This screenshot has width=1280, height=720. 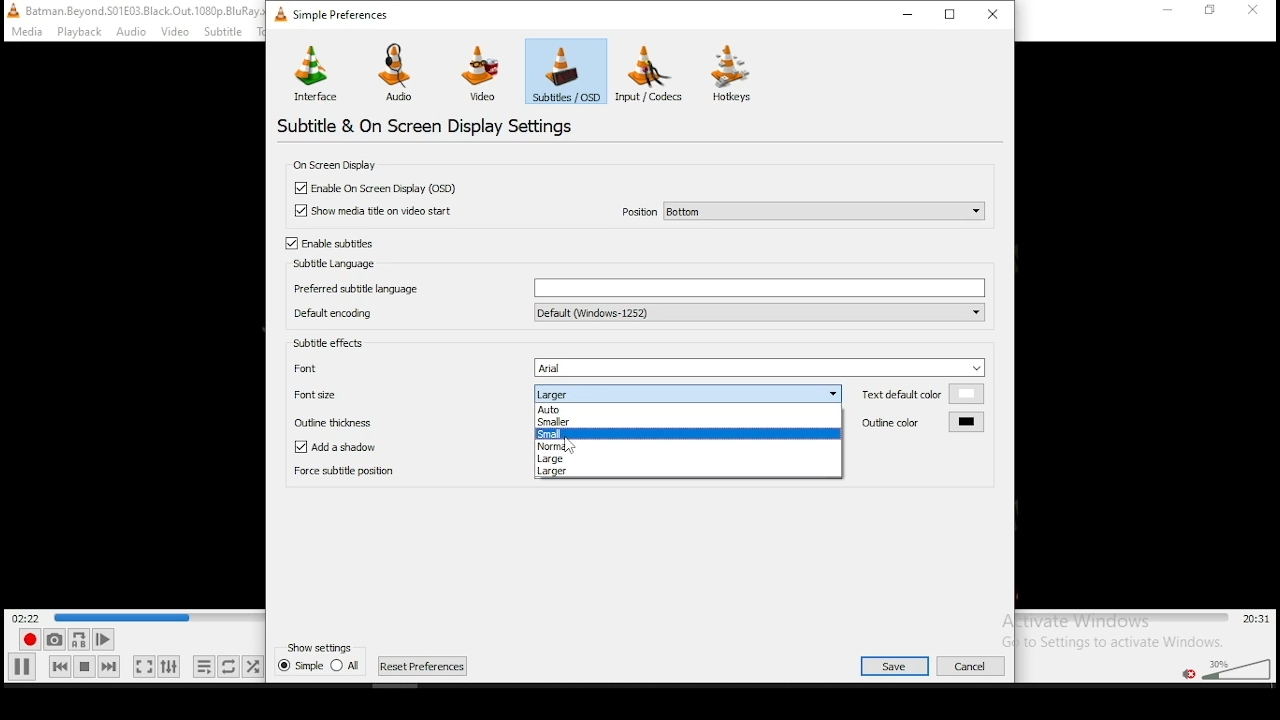 What do you see at coordinates (320, 646) in the screenshot?
I see `` at bounding box center [320, 646].